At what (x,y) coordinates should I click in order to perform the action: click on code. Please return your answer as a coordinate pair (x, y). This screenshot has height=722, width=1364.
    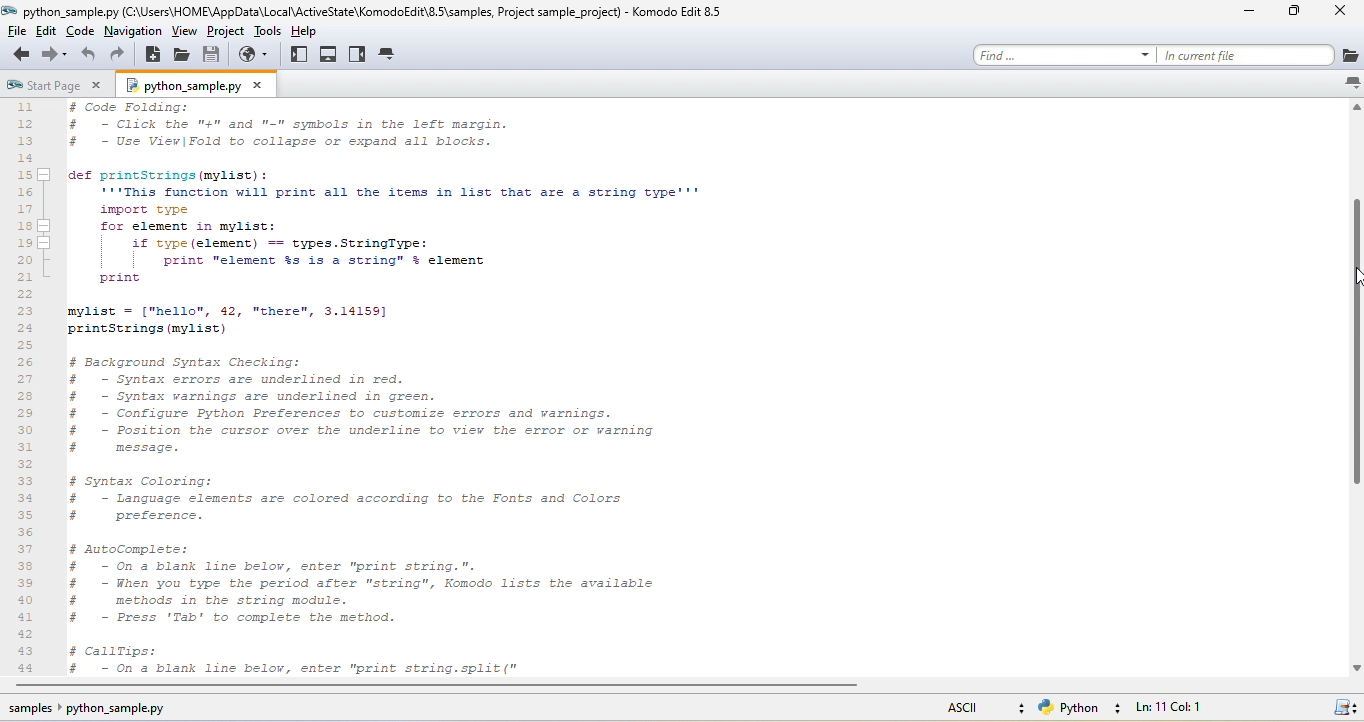
    Looking at the image, I should click on (86, 32).